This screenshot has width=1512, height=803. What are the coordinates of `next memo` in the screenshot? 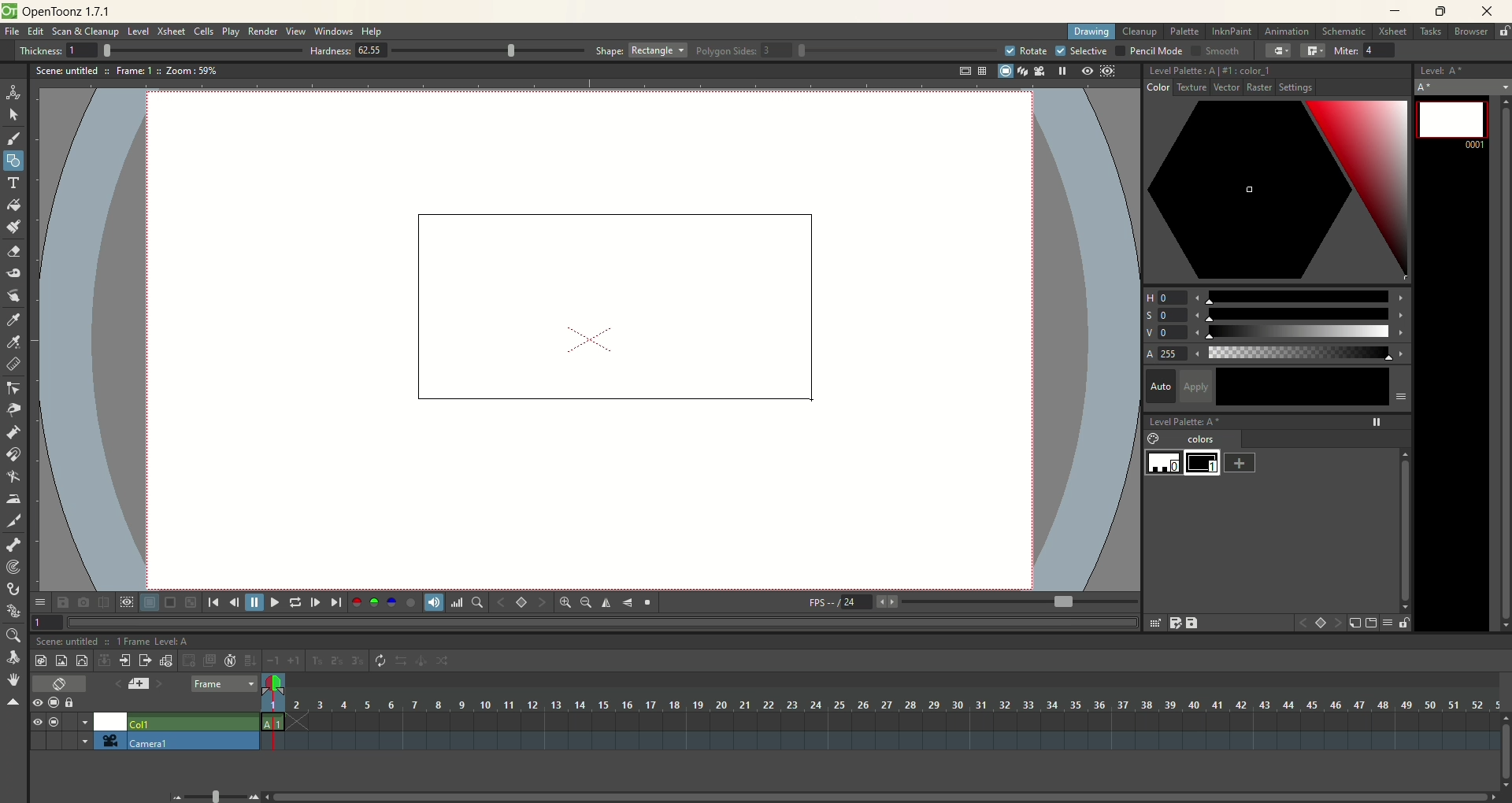 It's located at (160, 686).